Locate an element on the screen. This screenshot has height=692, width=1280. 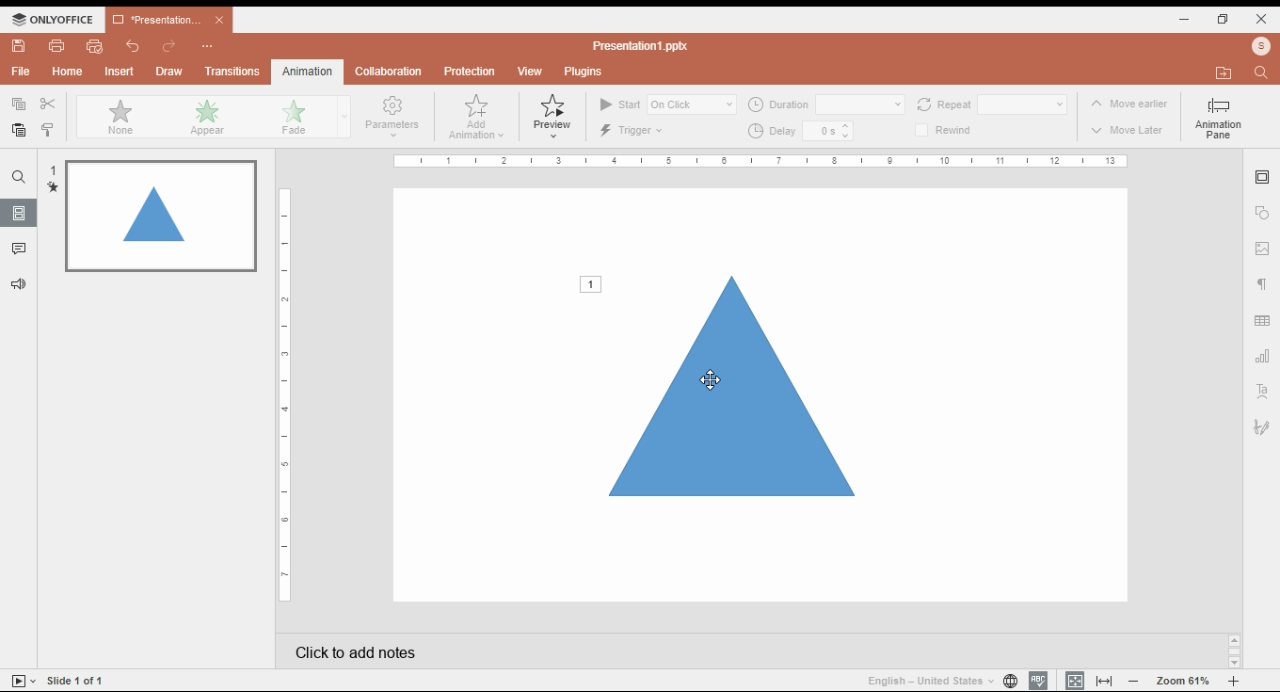
collaboration is located at coordinates (391, 71).